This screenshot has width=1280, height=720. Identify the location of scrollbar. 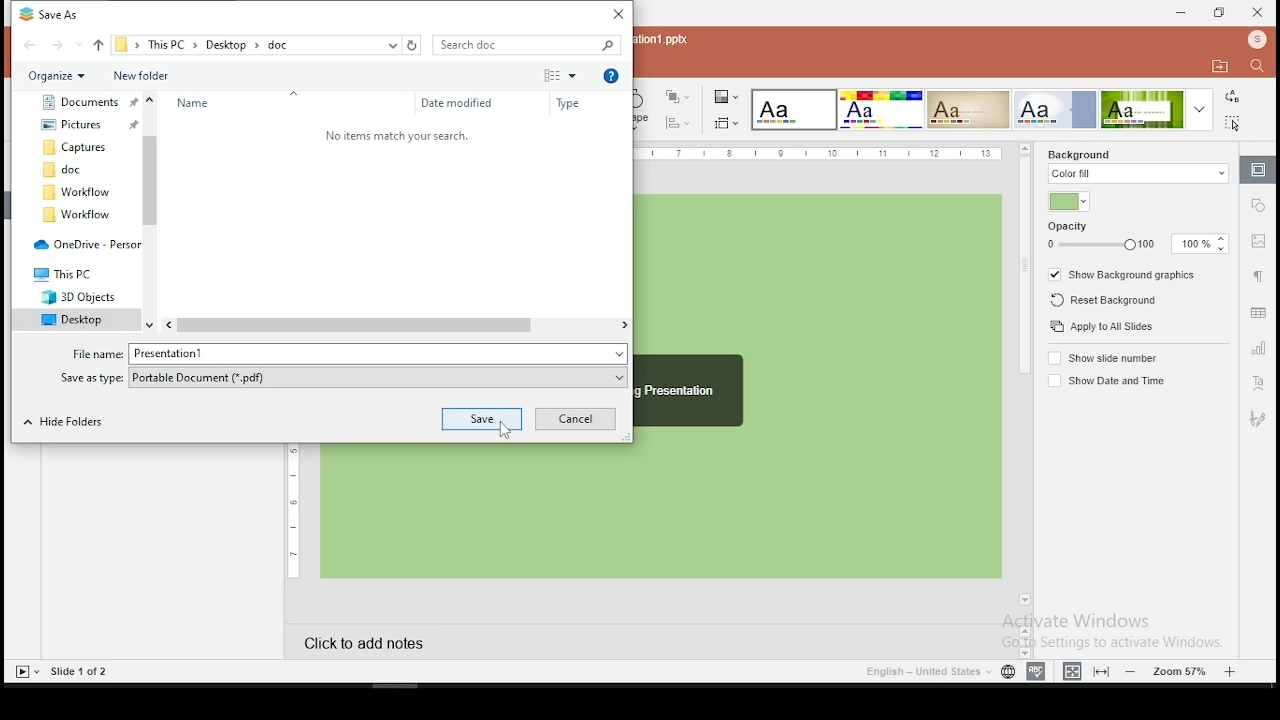
(1027, 639).